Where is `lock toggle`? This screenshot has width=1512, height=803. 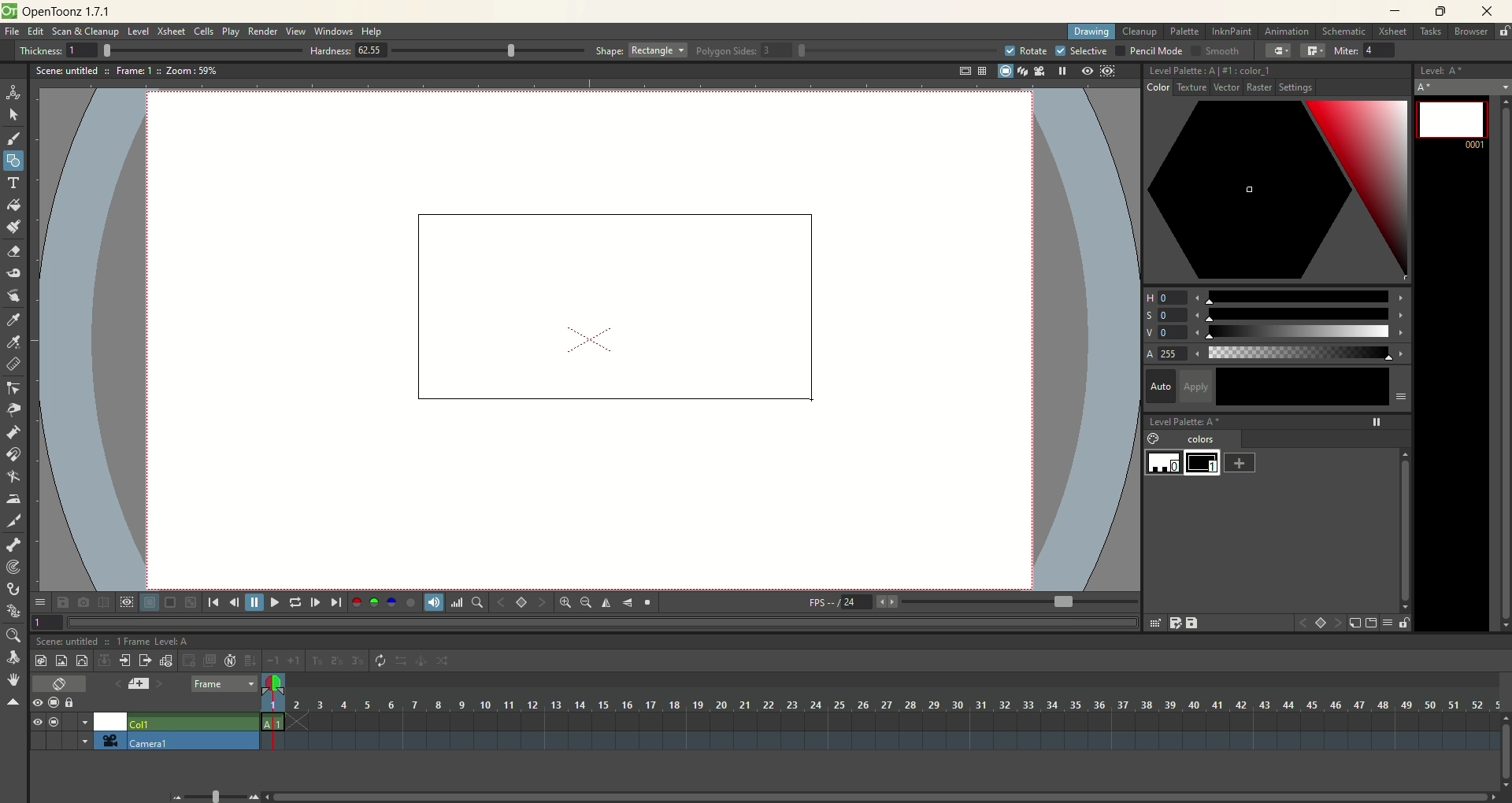 lock toggle is located at coordinates (76, 702).